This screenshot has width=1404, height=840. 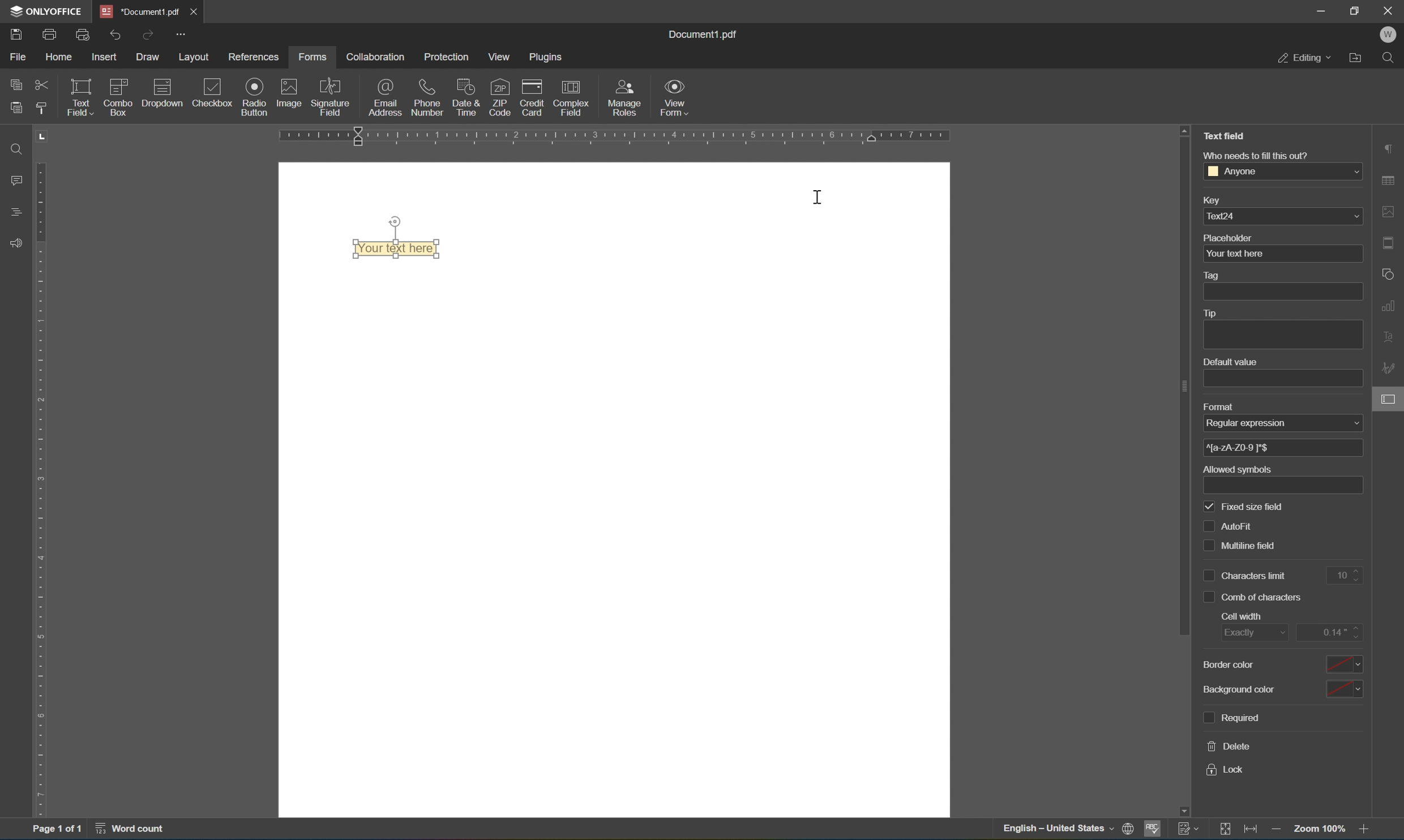 I want to click on text field, so click(x=79, y=96).